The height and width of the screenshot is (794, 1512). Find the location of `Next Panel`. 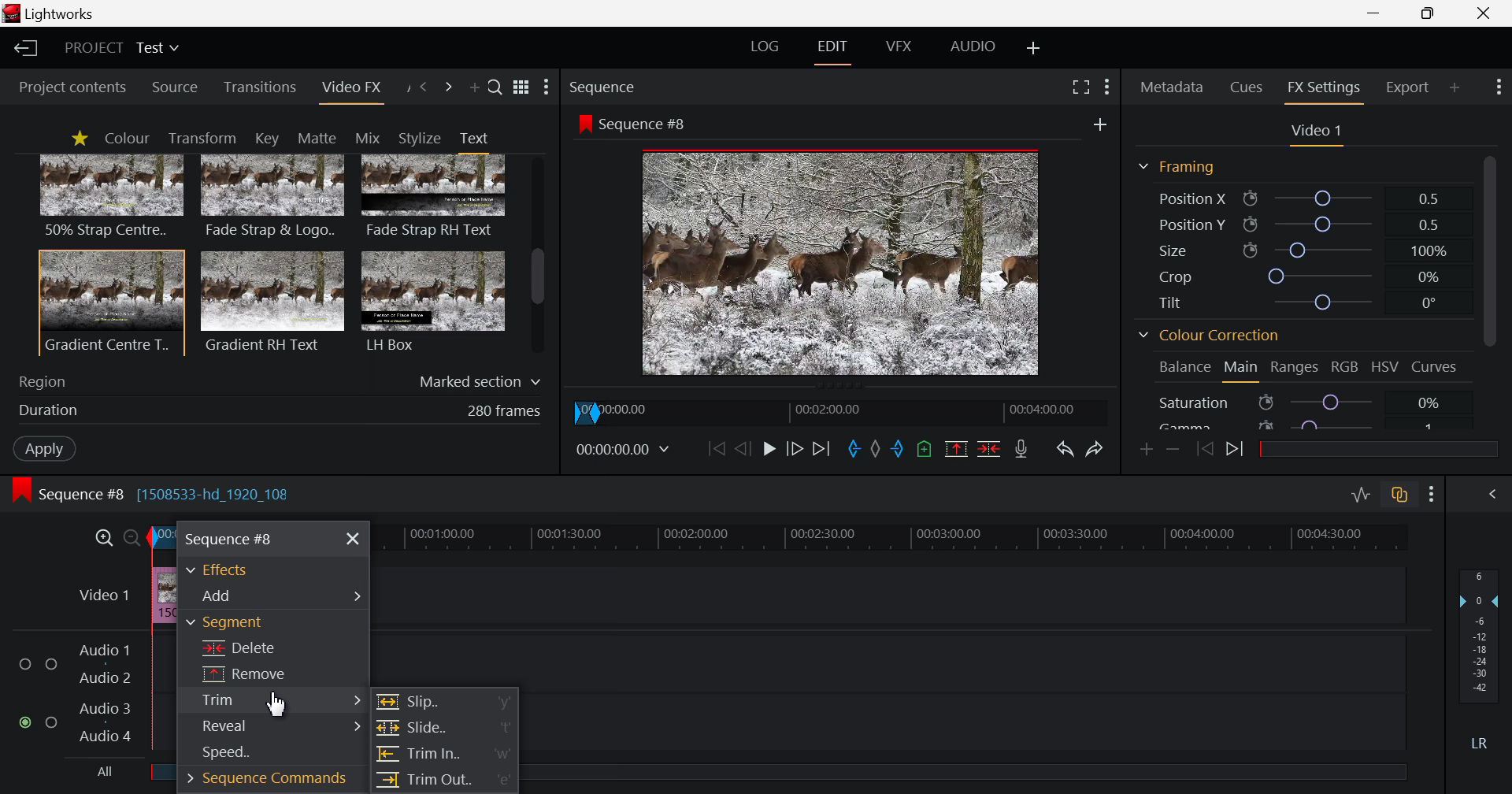

Next Panel is located at coordinates (448, 87).